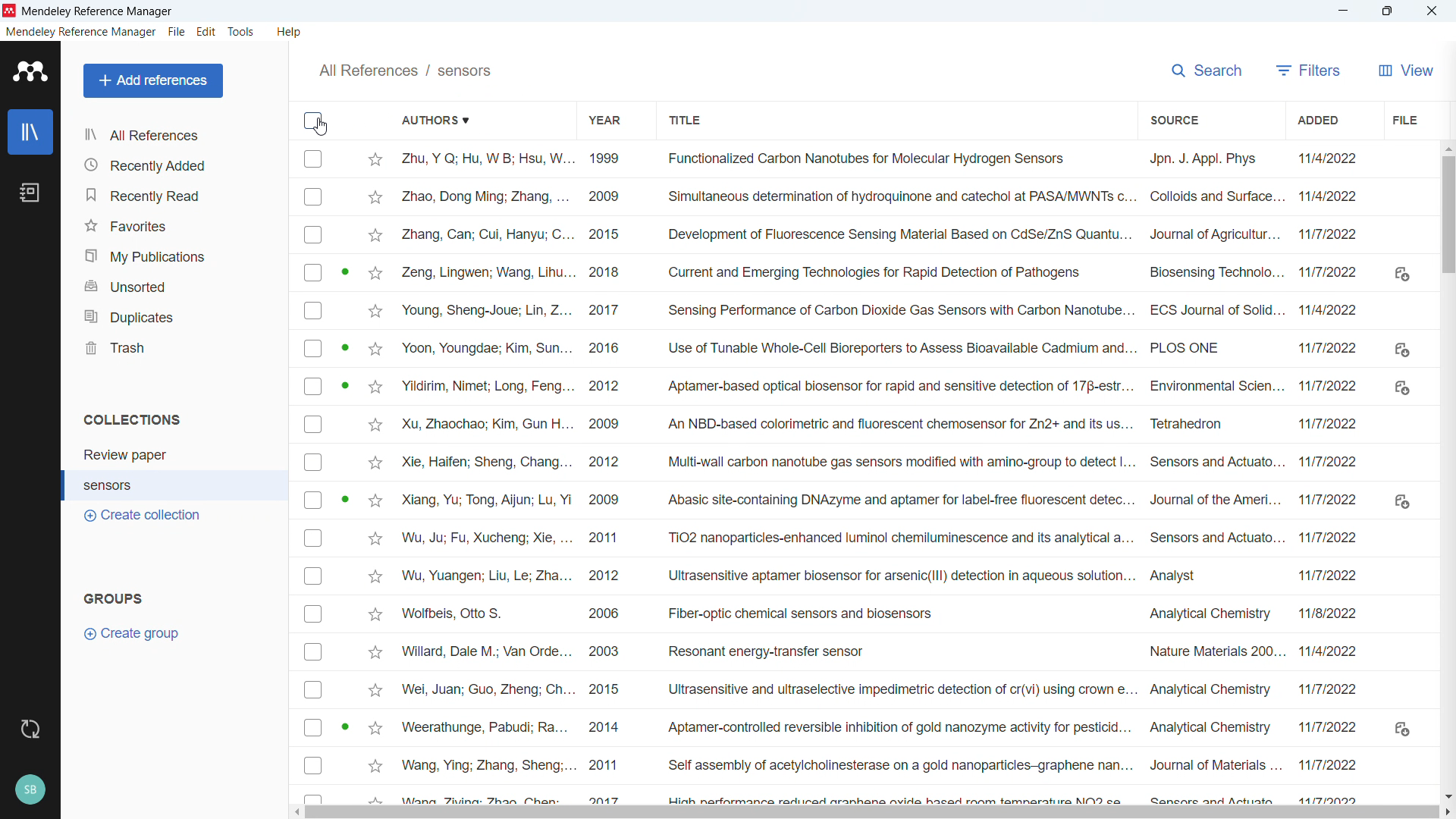  Describe the element at coordinates (1332, 476) in the screenshot. I see `Date of addition of individual entries` at that location.